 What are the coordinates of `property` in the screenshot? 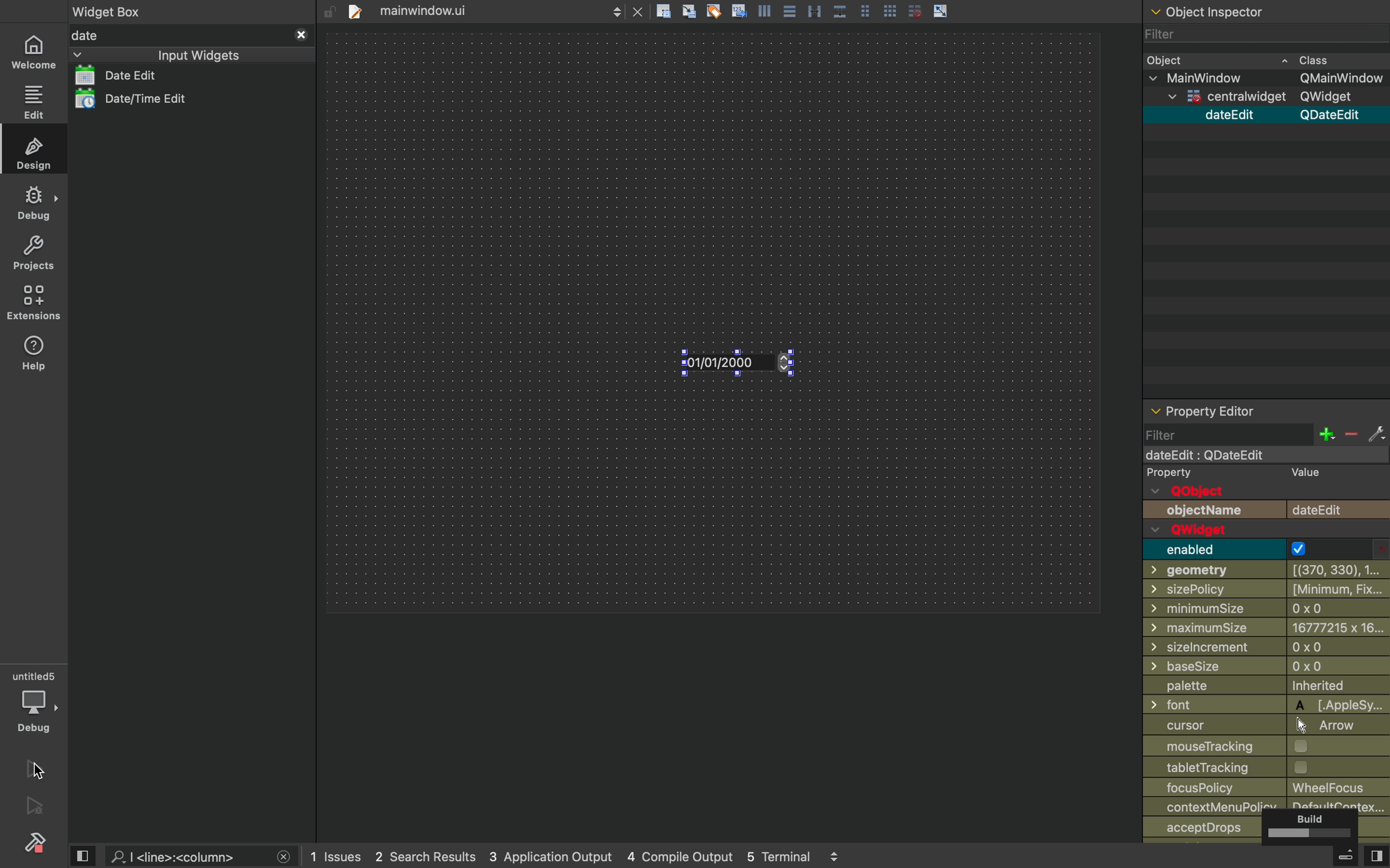 It's located at (1241, 472).